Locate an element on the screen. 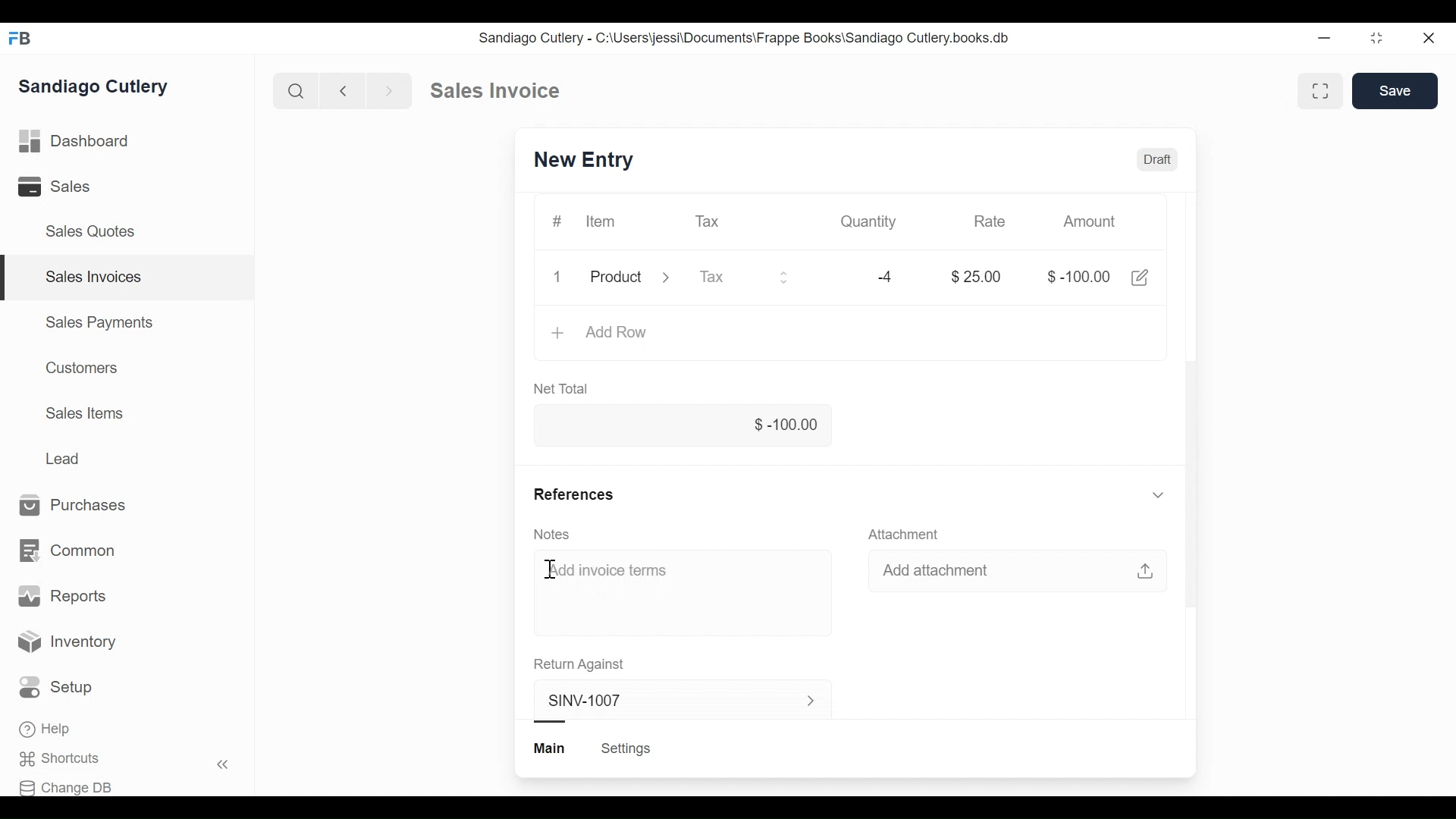 This screenshot has width=1456, height=819. Tax is located at coordinates (743, 276).